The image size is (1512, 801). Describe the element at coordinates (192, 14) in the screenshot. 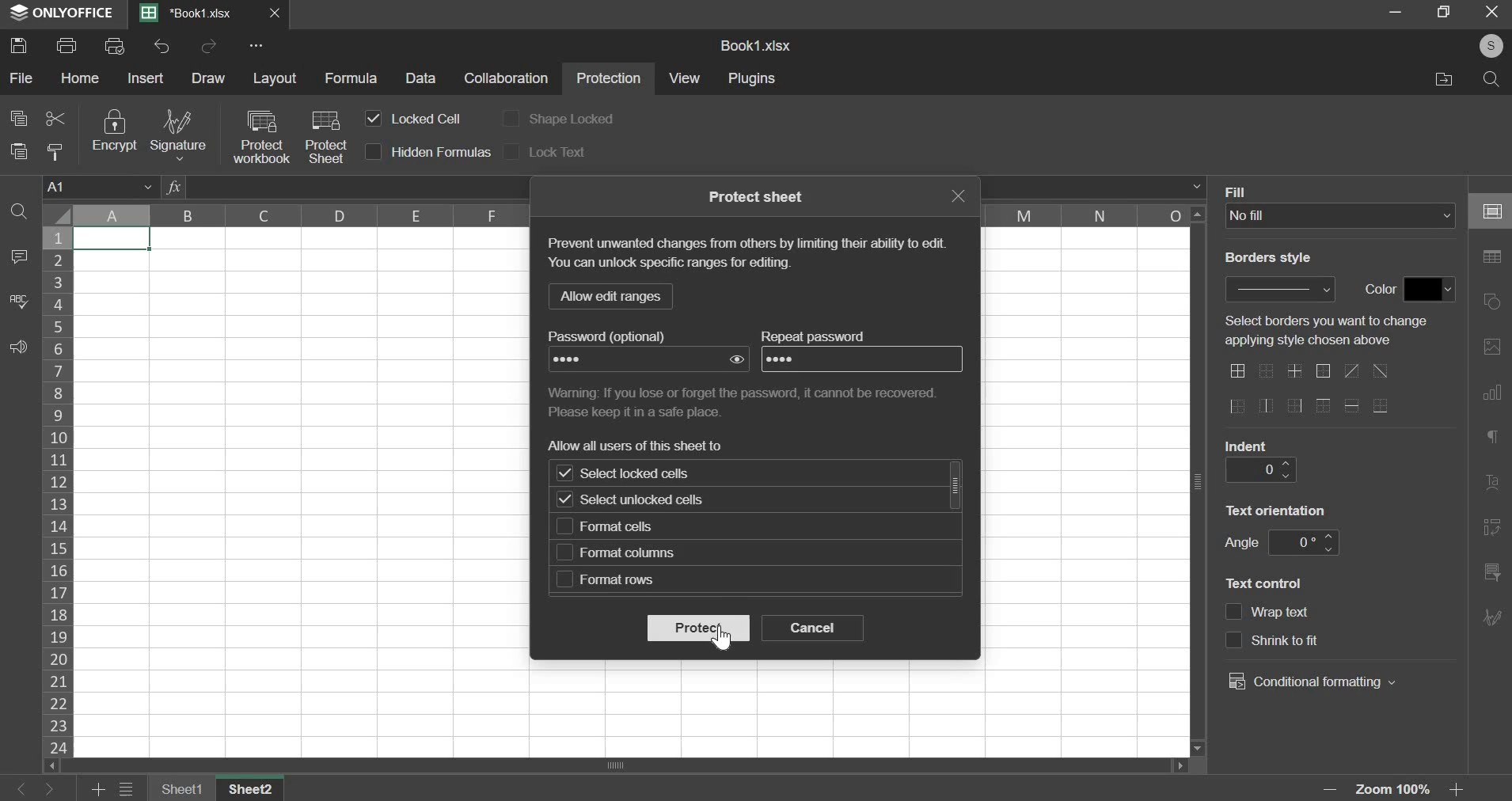

I see `Book1.xlsx` at that location.